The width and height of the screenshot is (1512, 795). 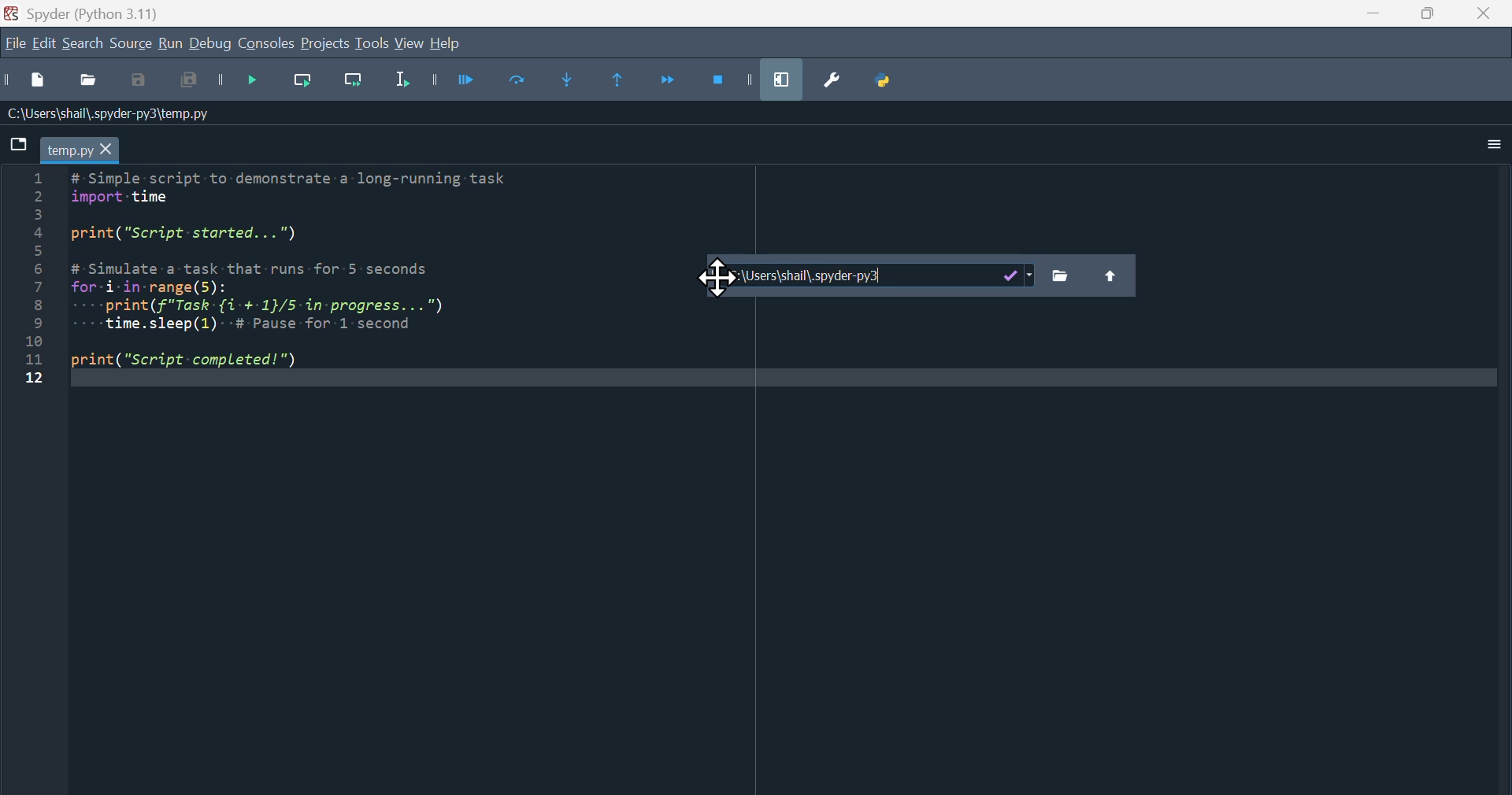 I want to click on File, so click(x=16, y=46).